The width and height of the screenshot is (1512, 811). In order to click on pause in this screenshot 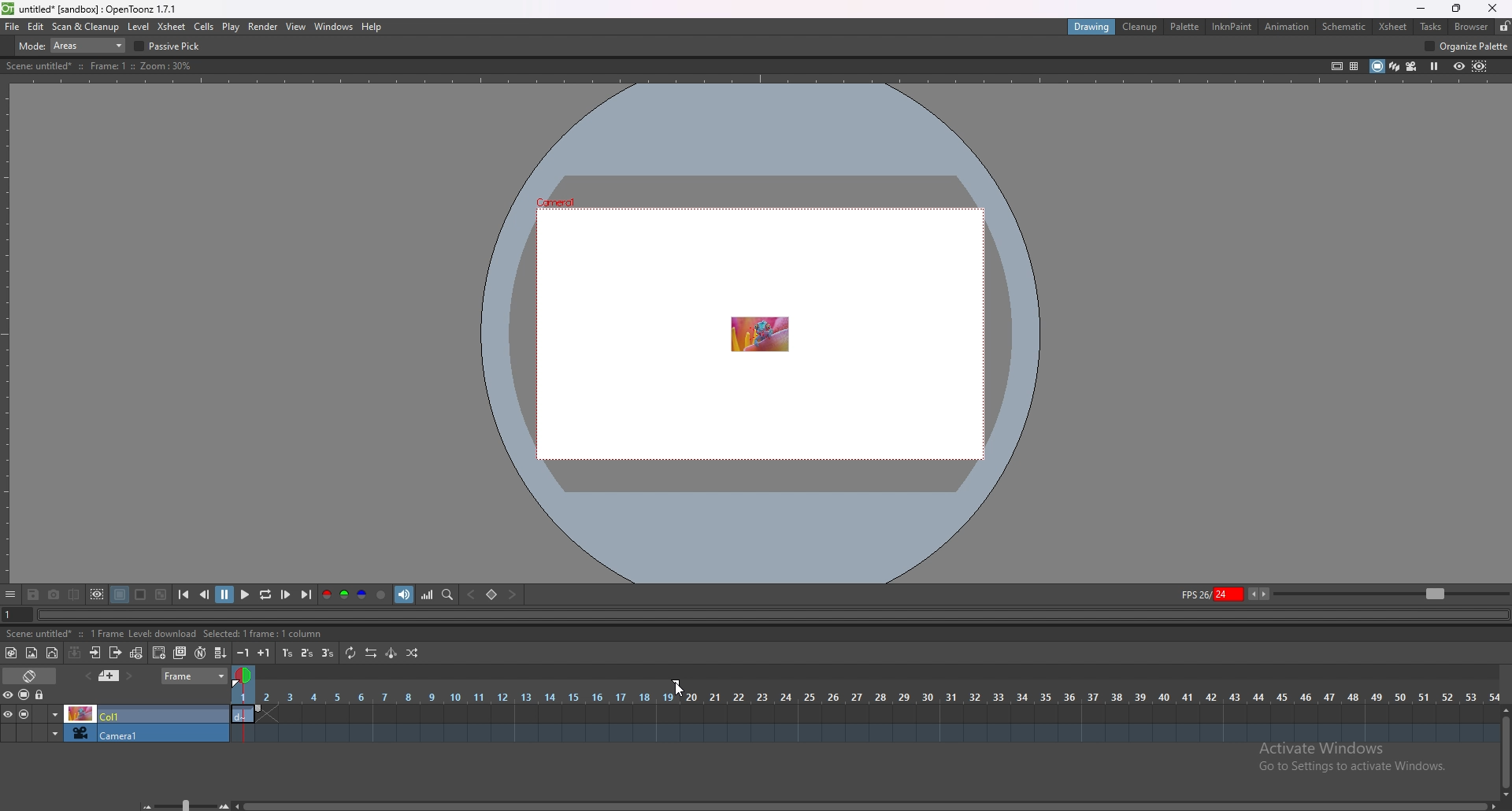, I will do `click(226, 593)`.